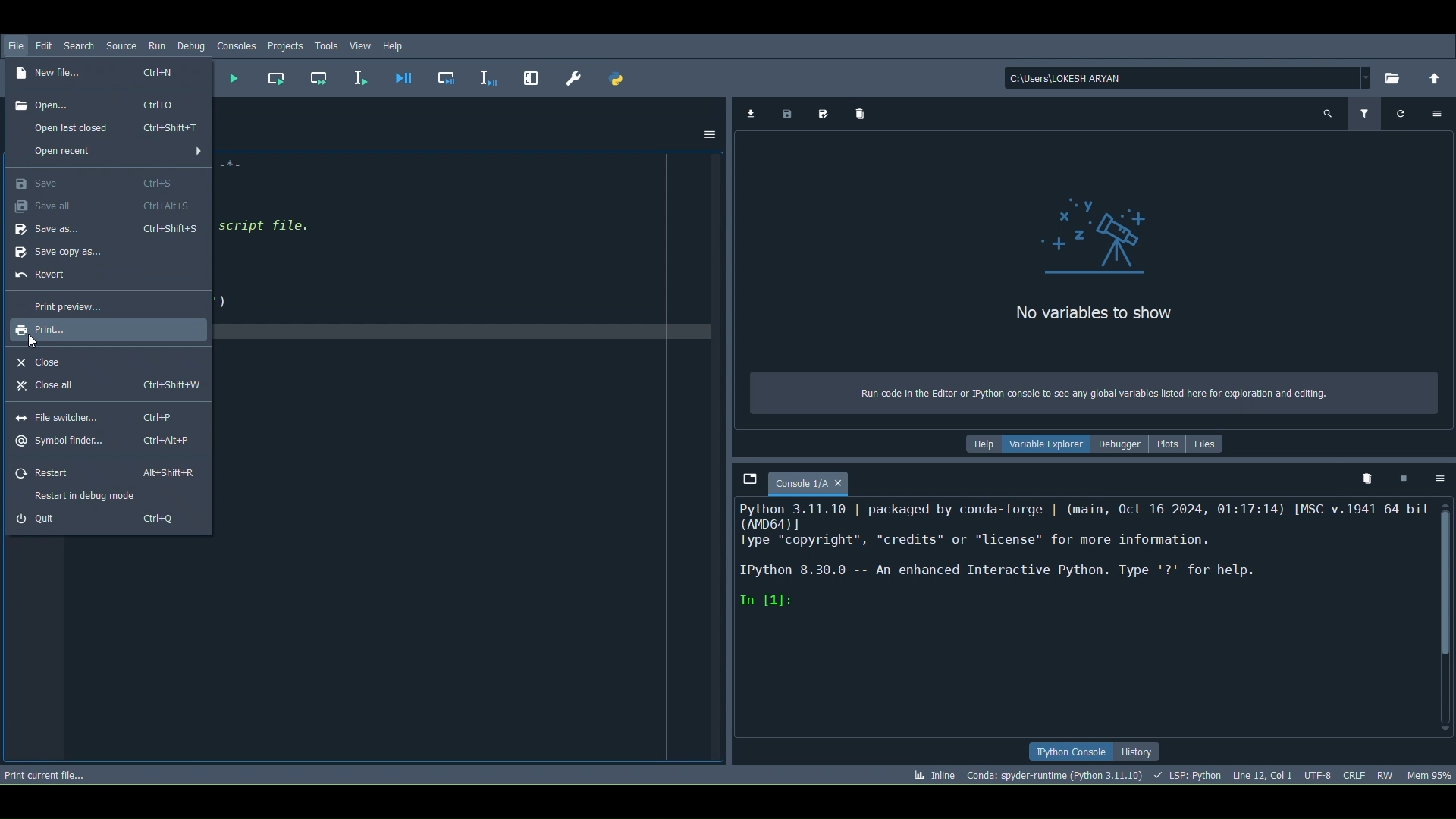 This screenshot has height=819, width=1456. What do you see at coordinates (1046, 447) in the screenshot?
I see `Variable explorer` at bounding box center [1046, 447].